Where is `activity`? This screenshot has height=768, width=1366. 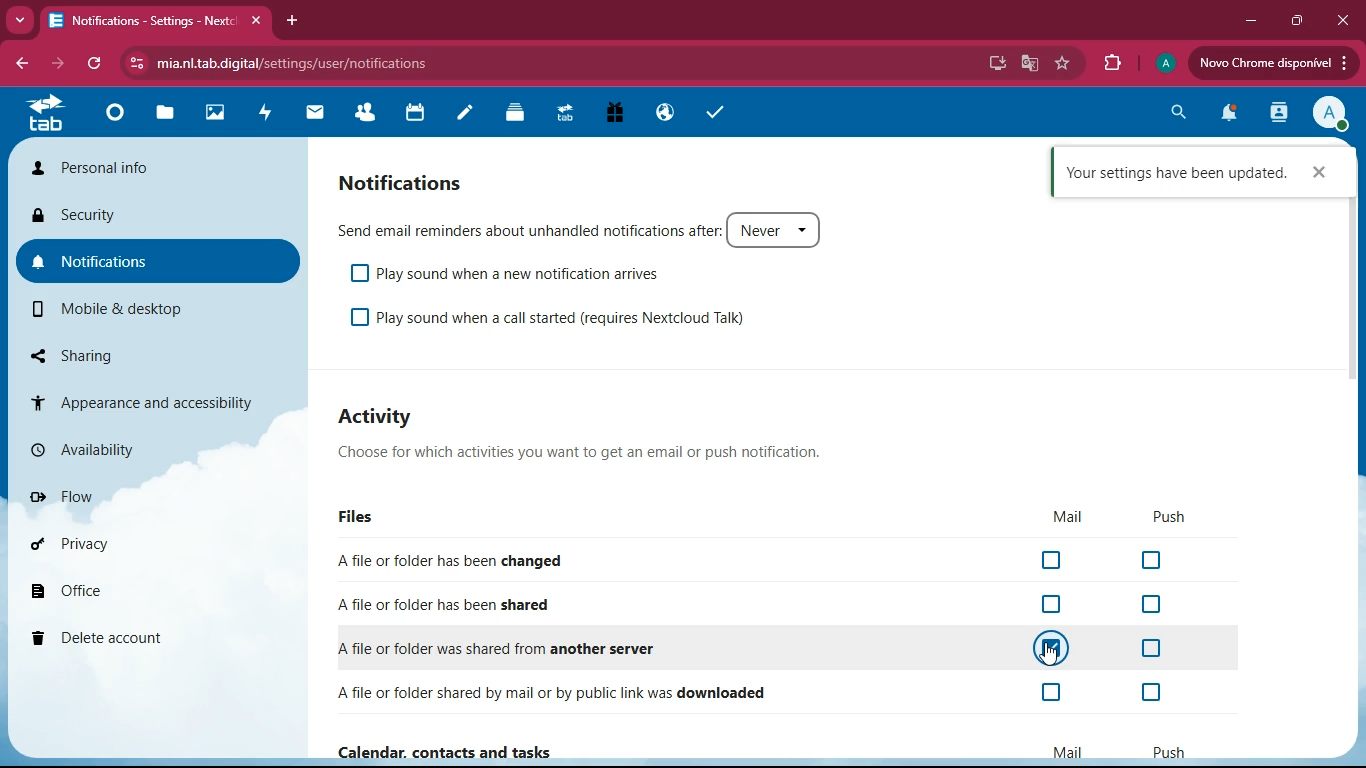
activity is located at coordinates (1279, 115).